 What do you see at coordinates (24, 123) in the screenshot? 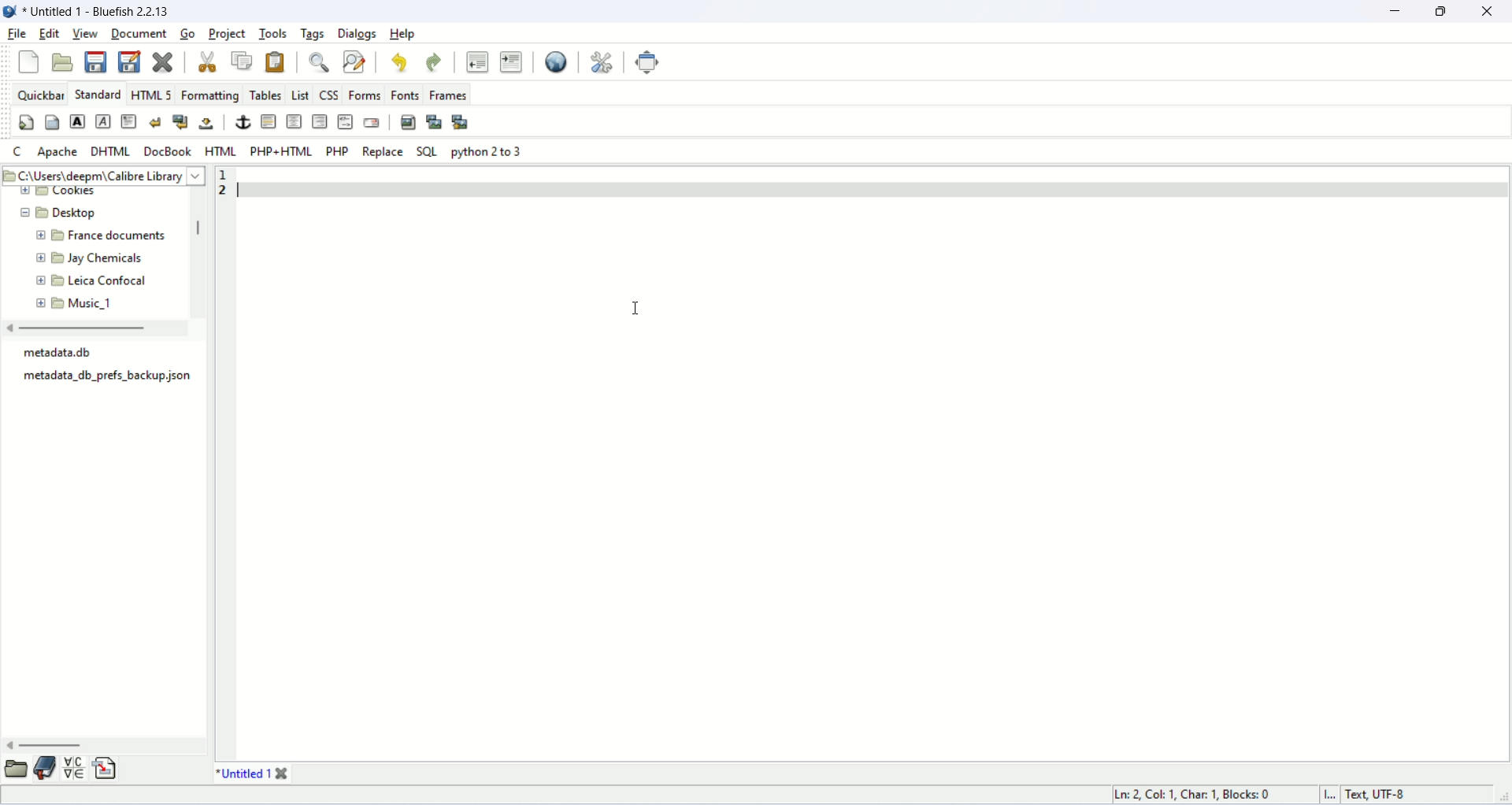
I see `quickstart` at bounding box center [24, 123].